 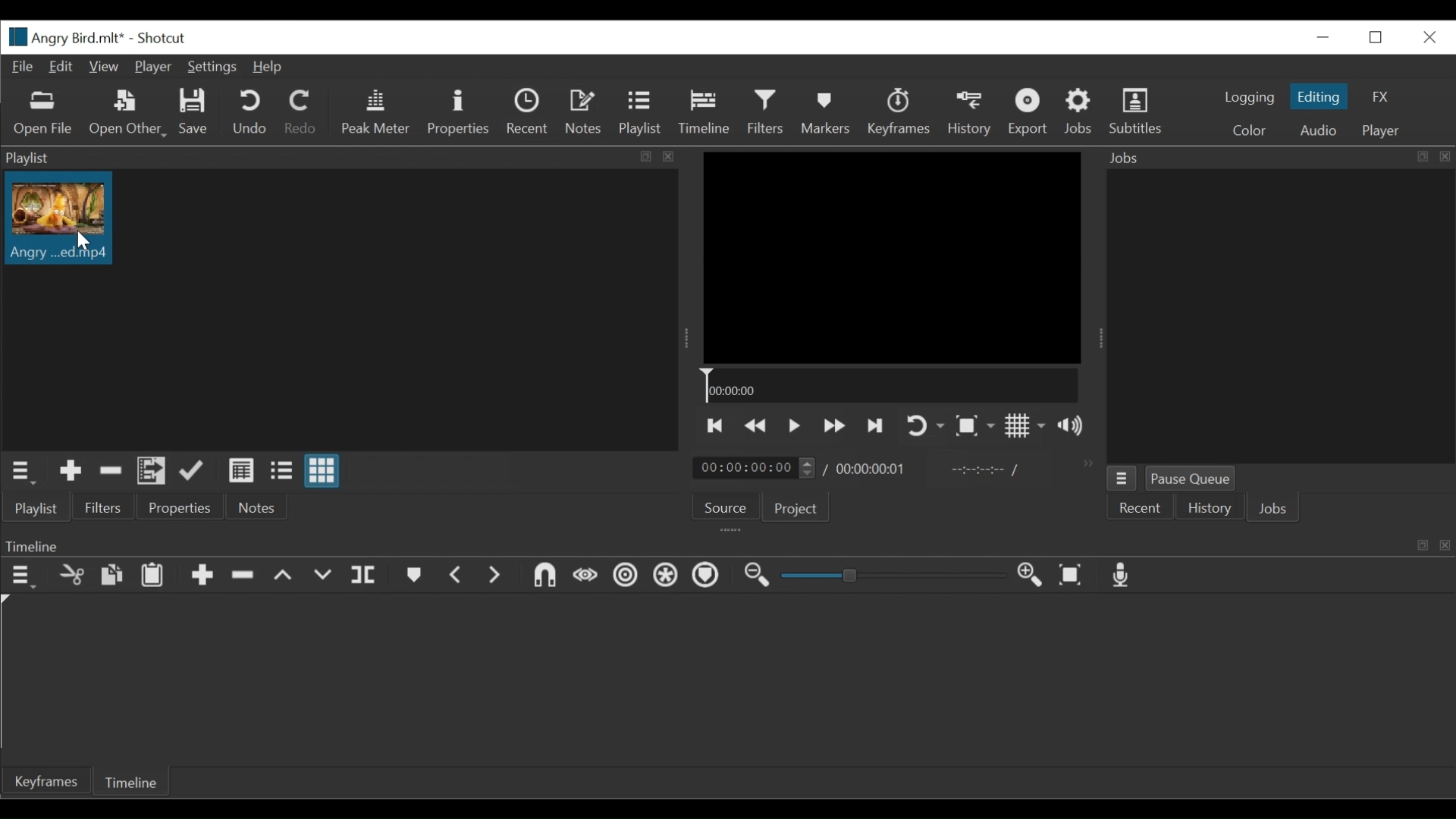 What do you see at coordinates (265, 67) in the screenshot?
I see `Help` at bounding box center [265, 67].